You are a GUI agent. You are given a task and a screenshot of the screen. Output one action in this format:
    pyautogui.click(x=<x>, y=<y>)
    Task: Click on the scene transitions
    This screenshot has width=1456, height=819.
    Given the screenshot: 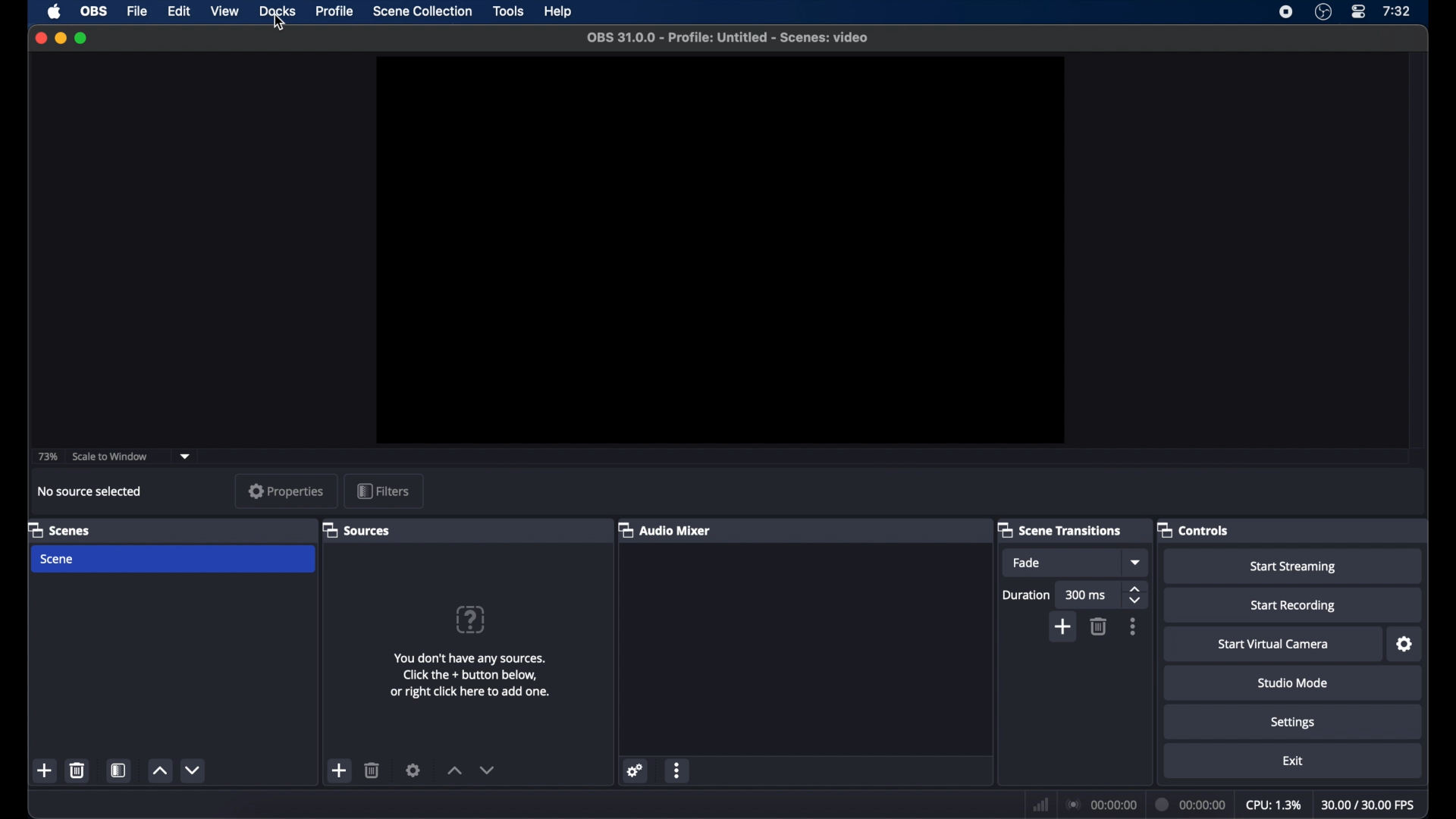 What is the action you would take?
    pyautogui.click(x=1060, y=531)
    